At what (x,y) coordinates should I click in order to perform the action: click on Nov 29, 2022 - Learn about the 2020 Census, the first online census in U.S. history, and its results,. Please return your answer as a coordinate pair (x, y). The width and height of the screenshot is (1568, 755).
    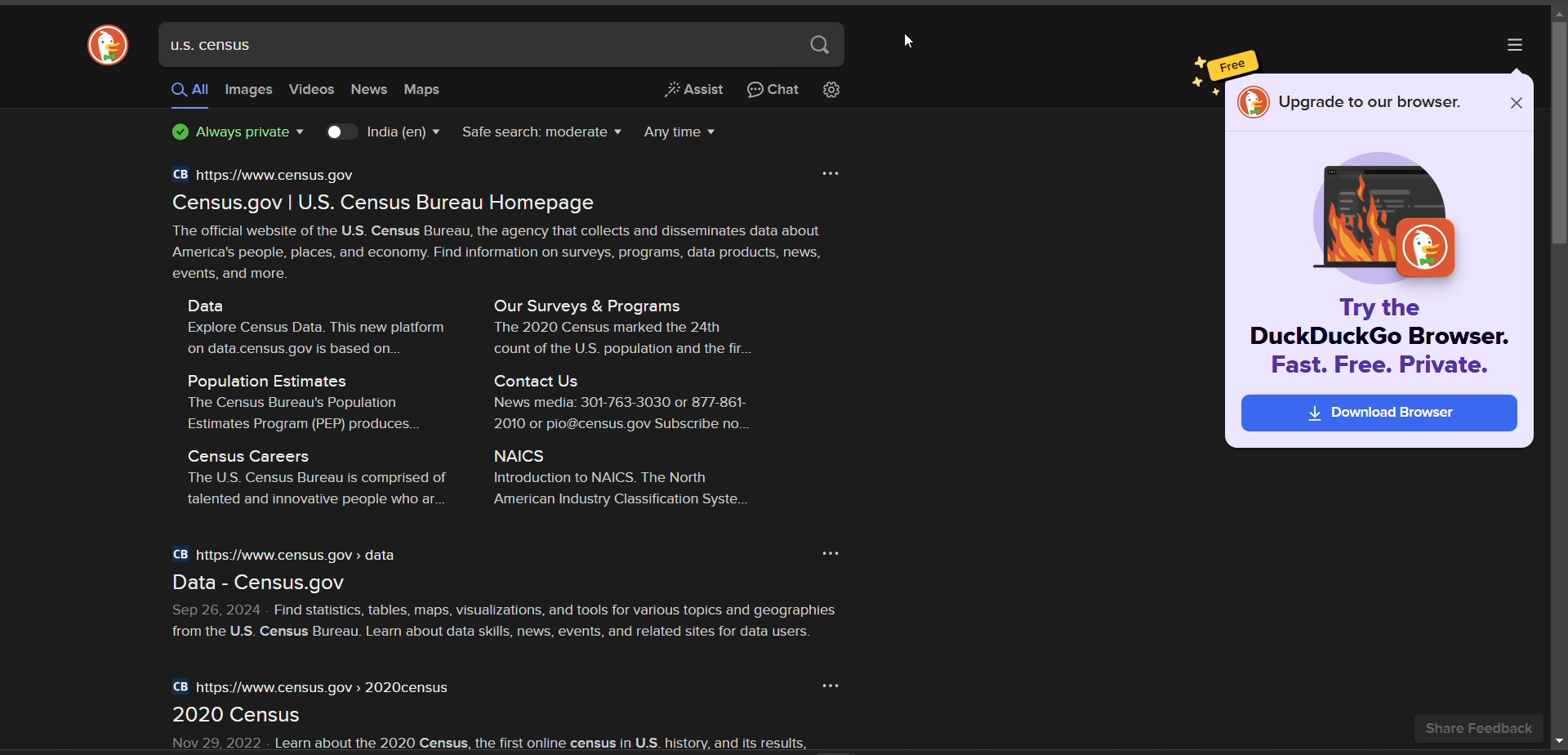
    Looking at the image, I should click on (450, 741).